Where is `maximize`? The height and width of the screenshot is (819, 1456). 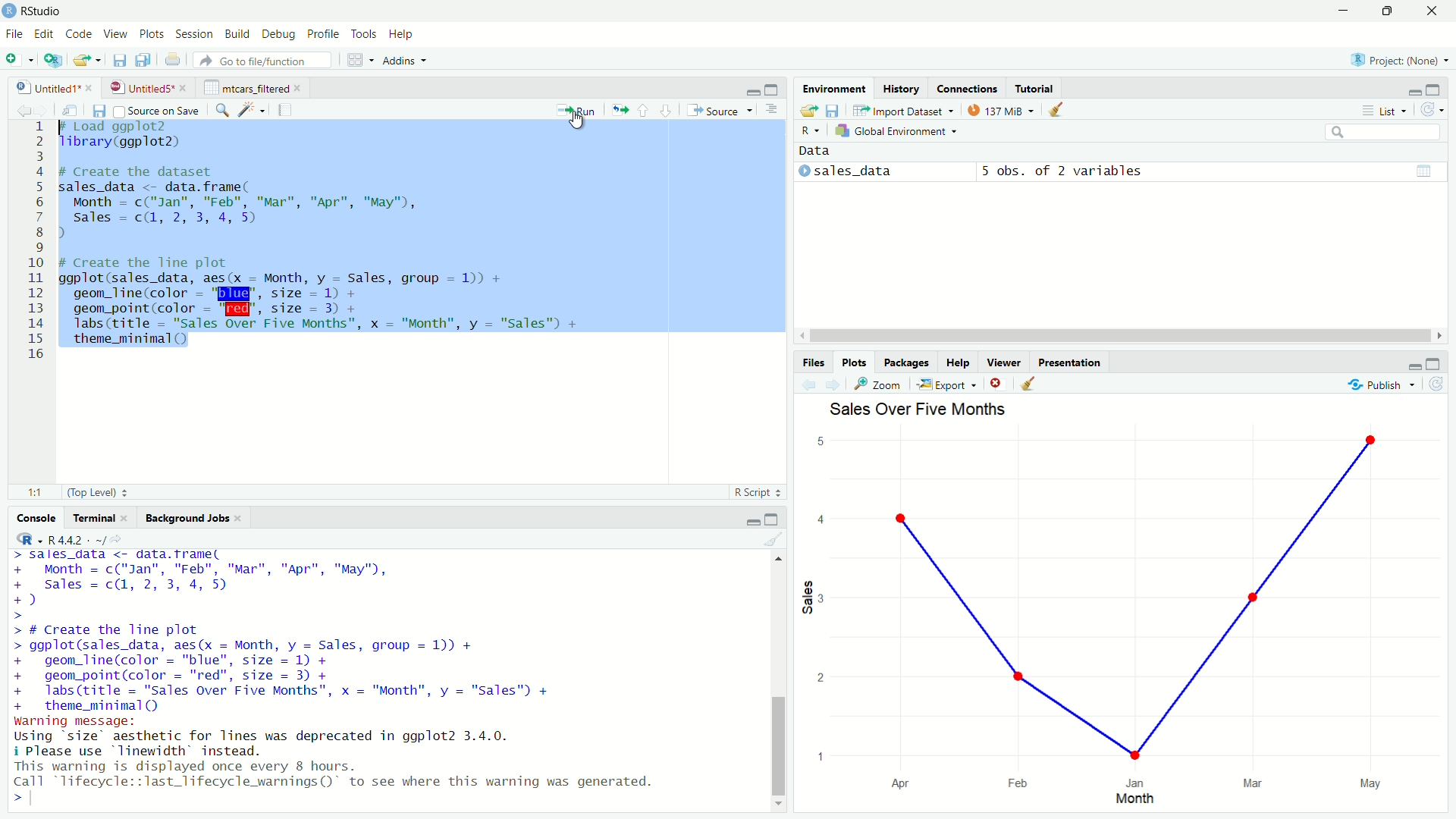 maximize is located at coordinates (774, 89).